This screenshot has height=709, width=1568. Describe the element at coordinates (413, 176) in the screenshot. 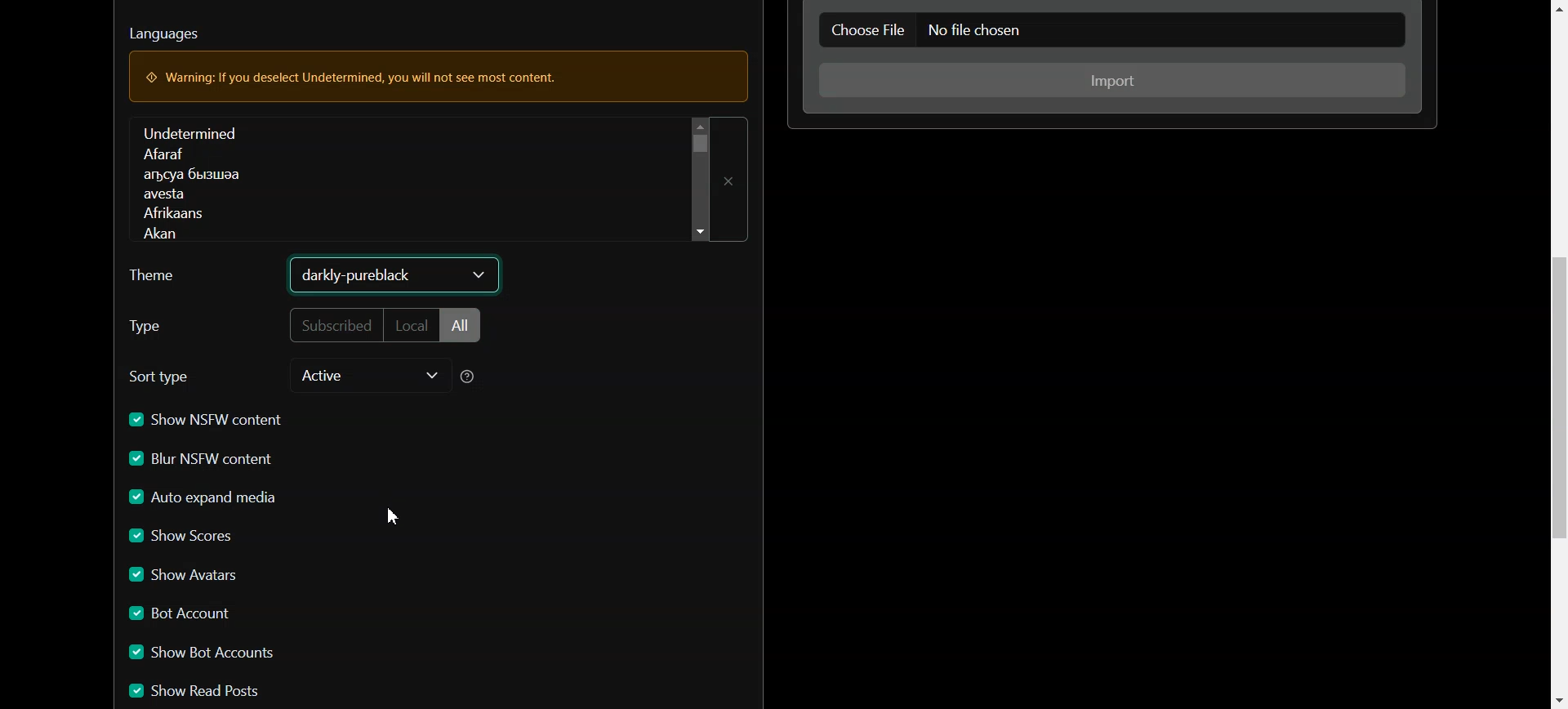

I see `Languages` at that location.